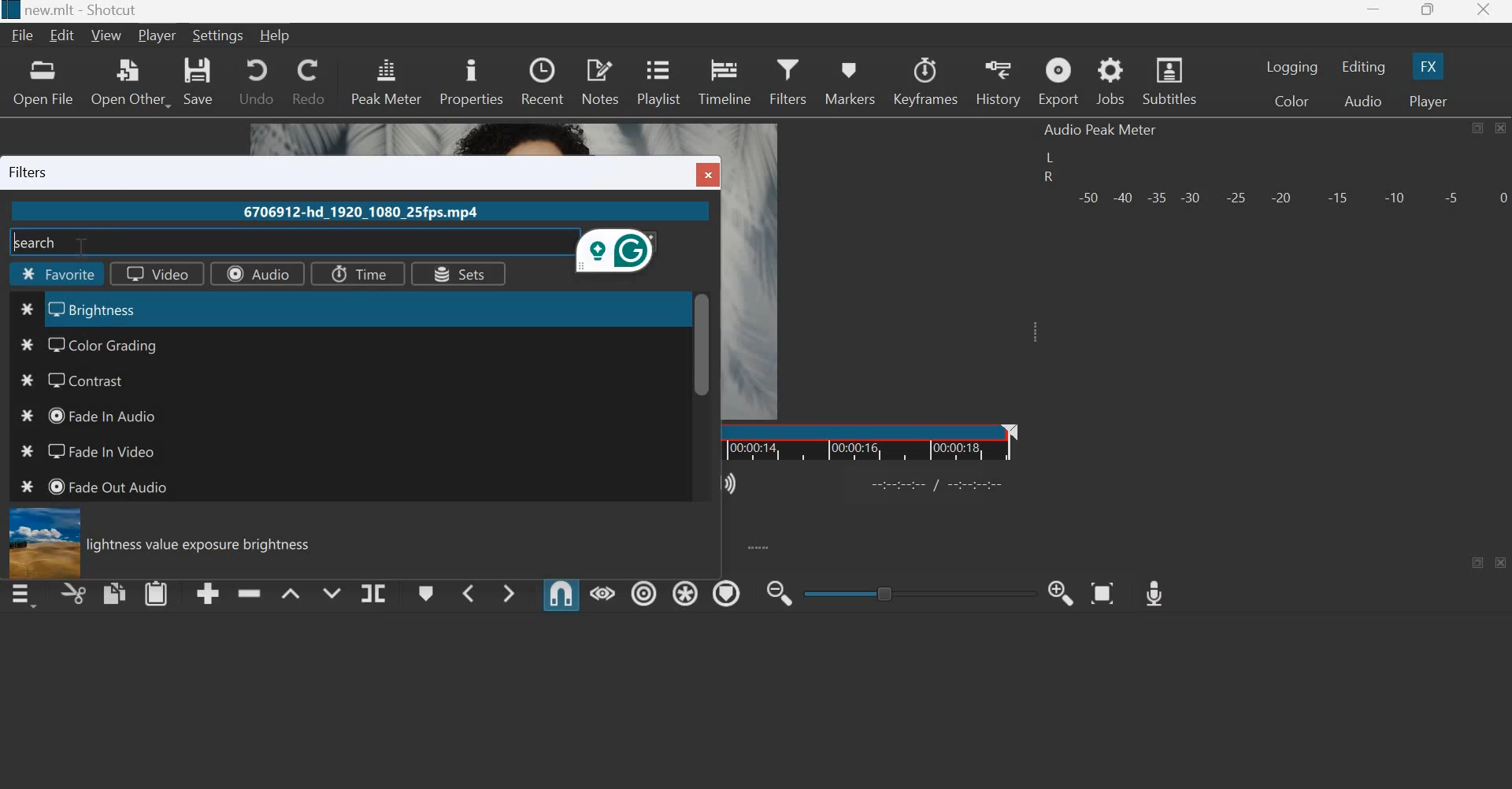 The height and width of the screenshot is (789, 1512). I want to click on Help, so click(280, 34).